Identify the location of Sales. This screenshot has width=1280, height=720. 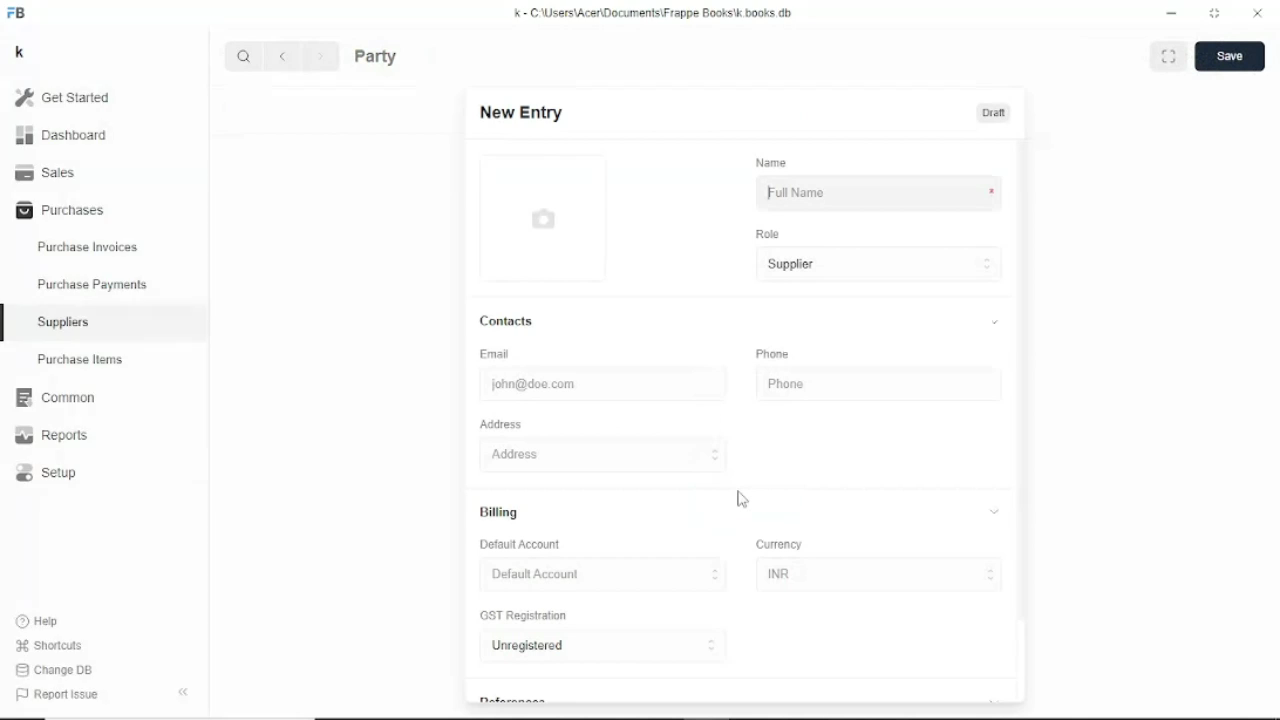
(48, 173).